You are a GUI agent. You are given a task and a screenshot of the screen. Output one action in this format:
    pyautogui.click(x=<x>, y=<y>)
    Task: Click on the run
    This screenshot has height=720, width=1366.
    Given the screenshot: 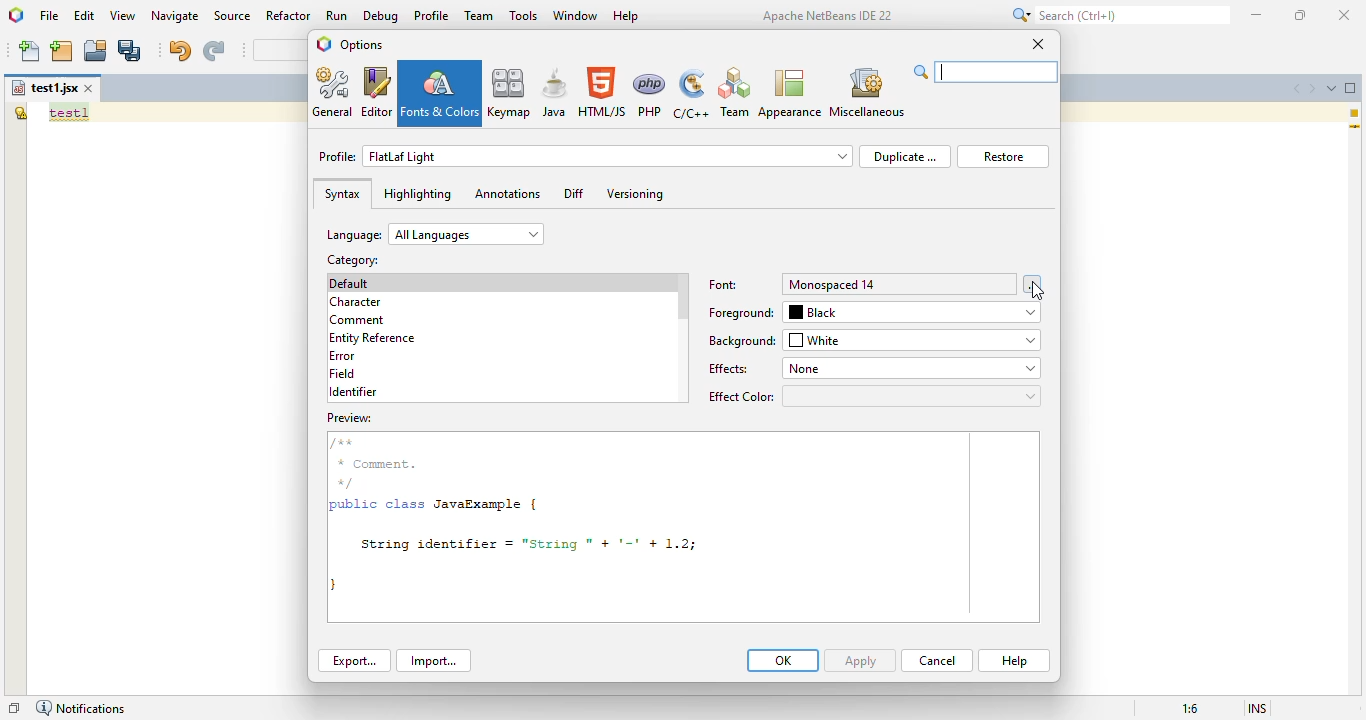 What is the action you would take?
    pyautogui.click(x=337, y=16)
    